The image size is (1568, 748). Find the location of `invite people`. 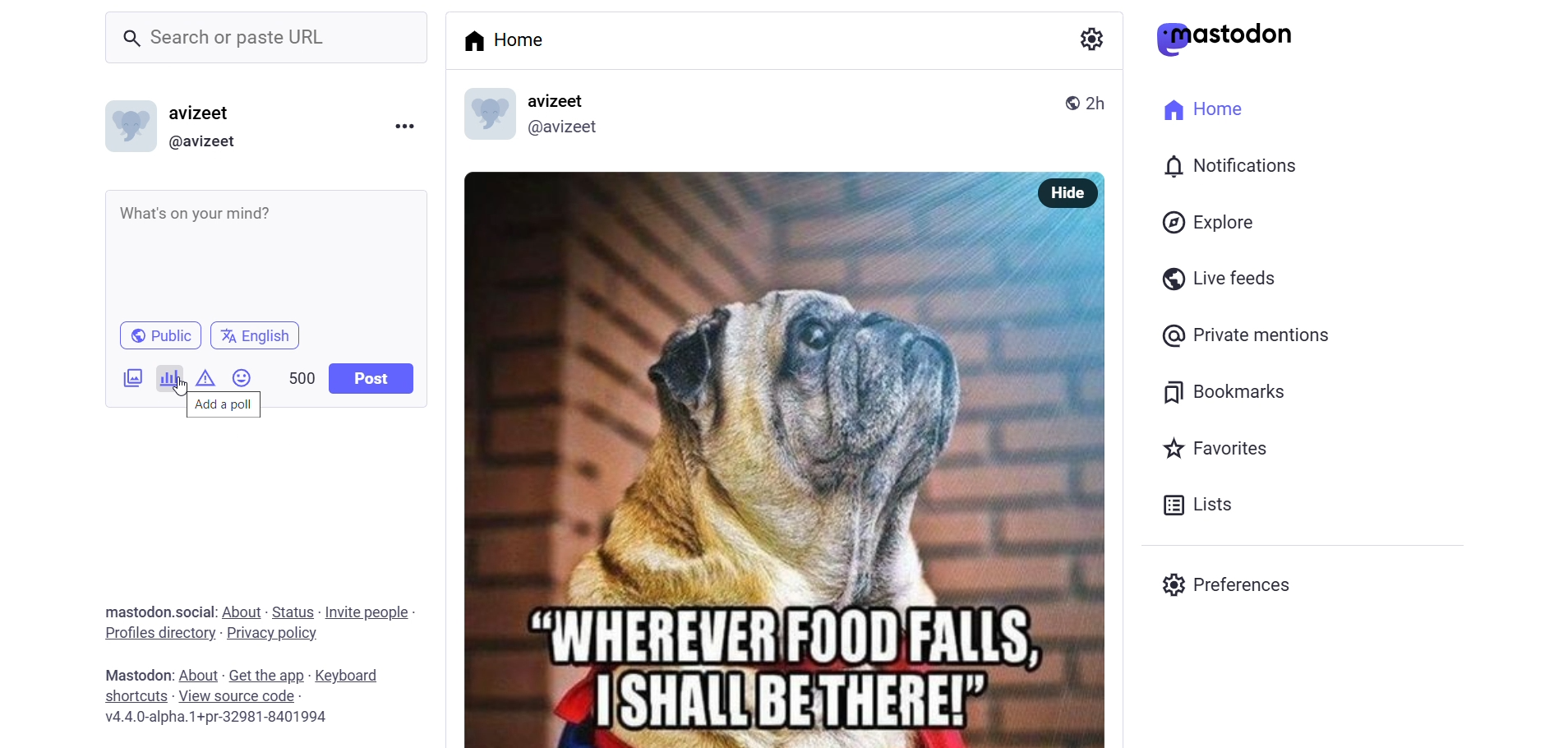

invite people is located at coordinates (371, 612).